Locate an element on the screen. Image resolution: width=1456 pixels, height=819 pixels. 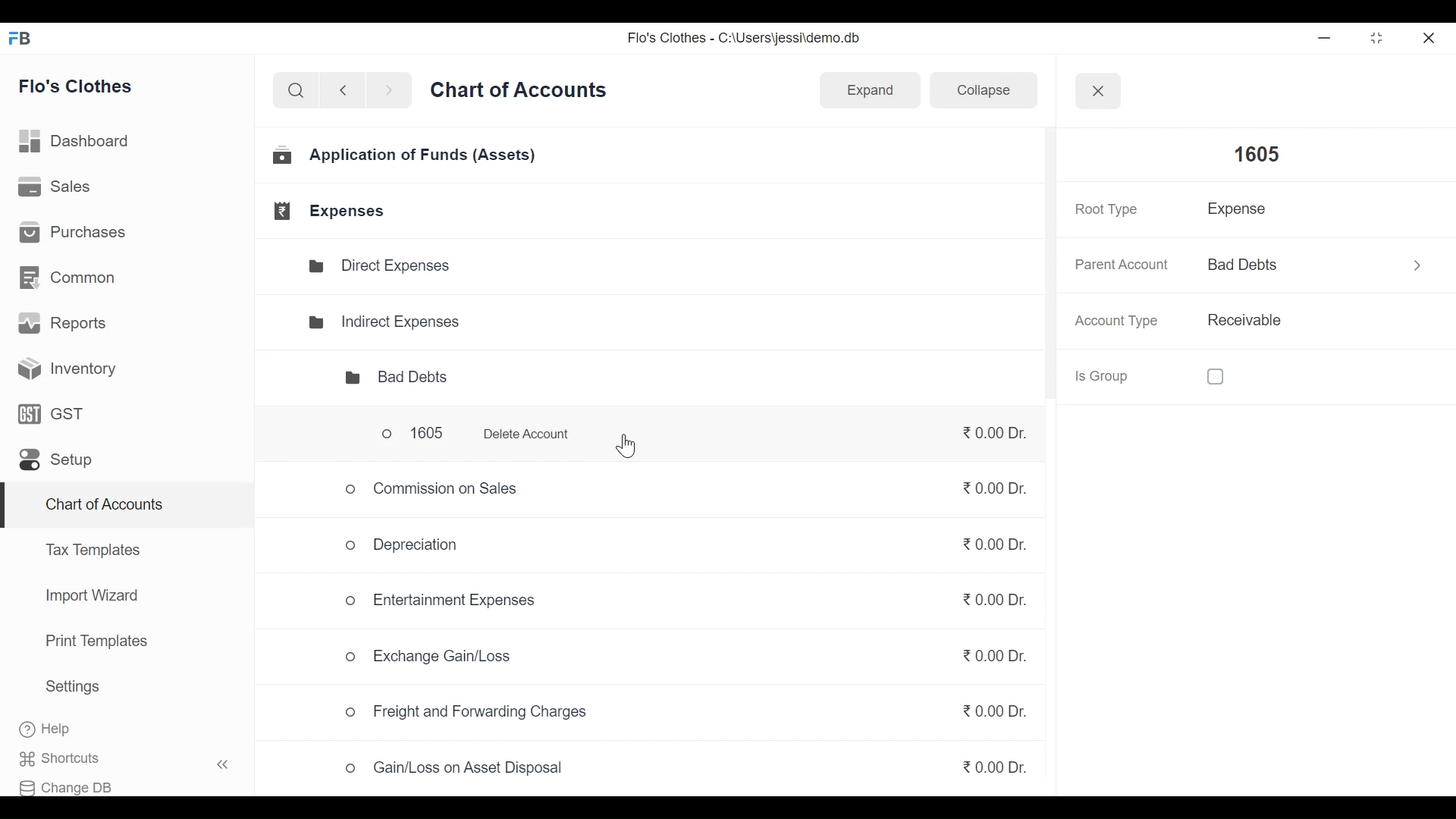
Flo's Clothes - C:\Users\jessi\demo.db is located at coordinates (746, 41).